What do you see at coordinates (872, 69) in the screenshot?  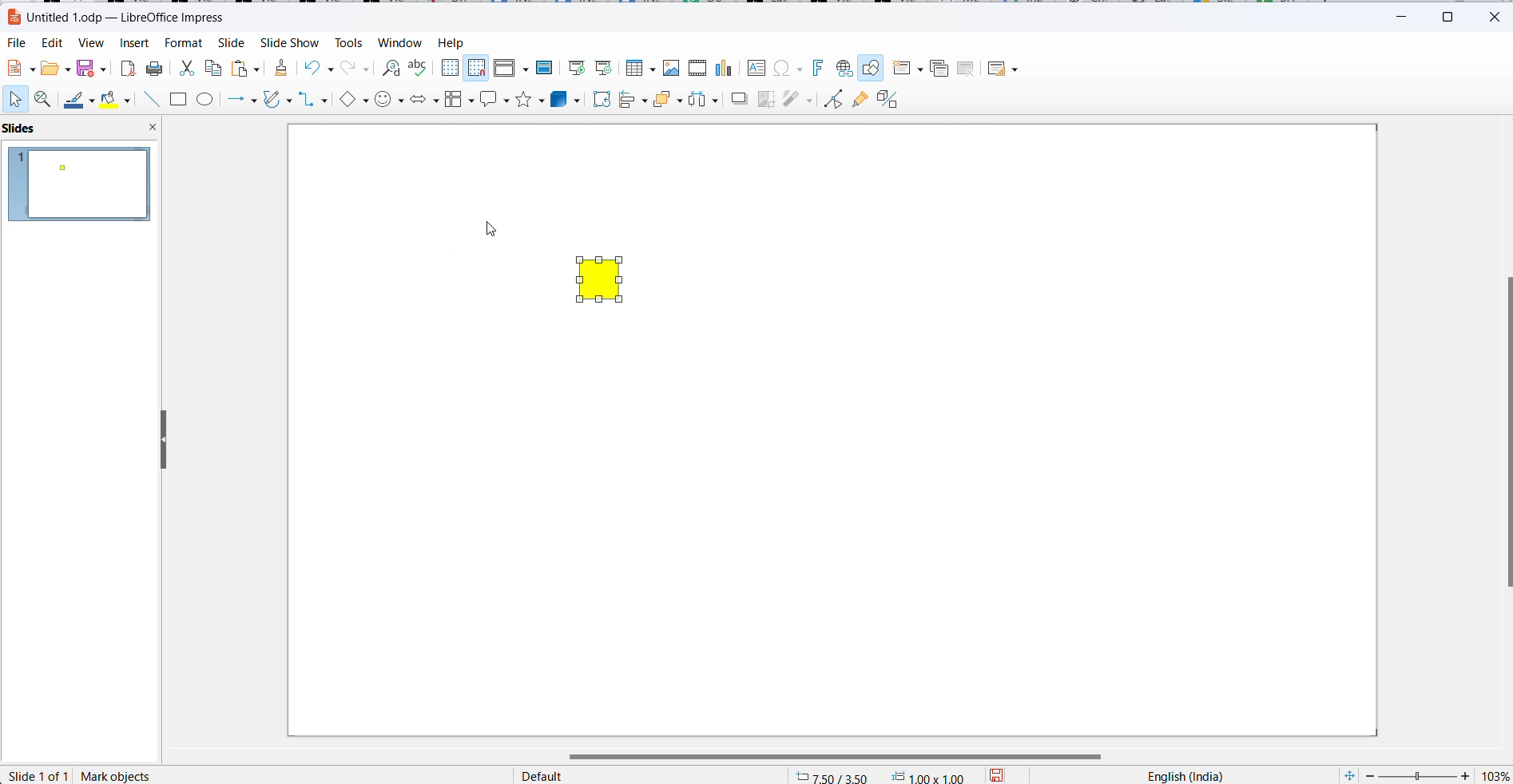 I see `Show draw functions` at bounding box center [872, 69].